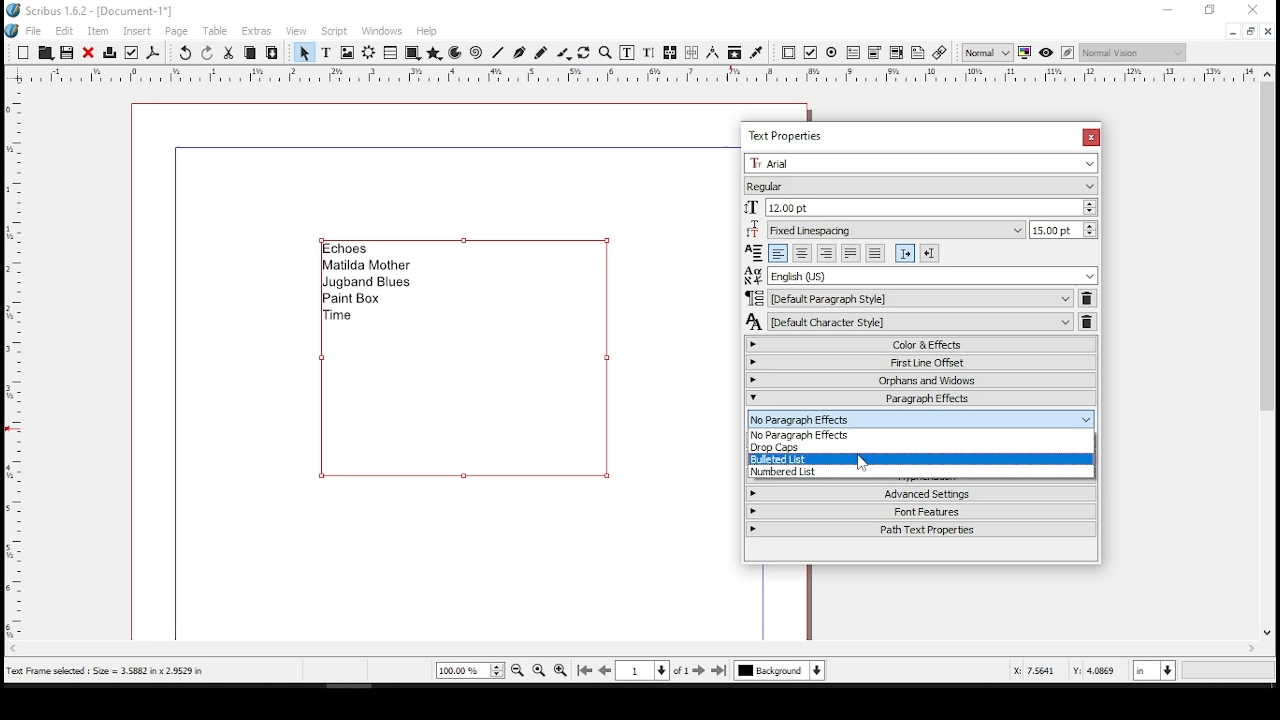  What do you see at coordinates (874, 253) in the screenshot?
I see `align text forced justified` at bounding box center [874, 253].